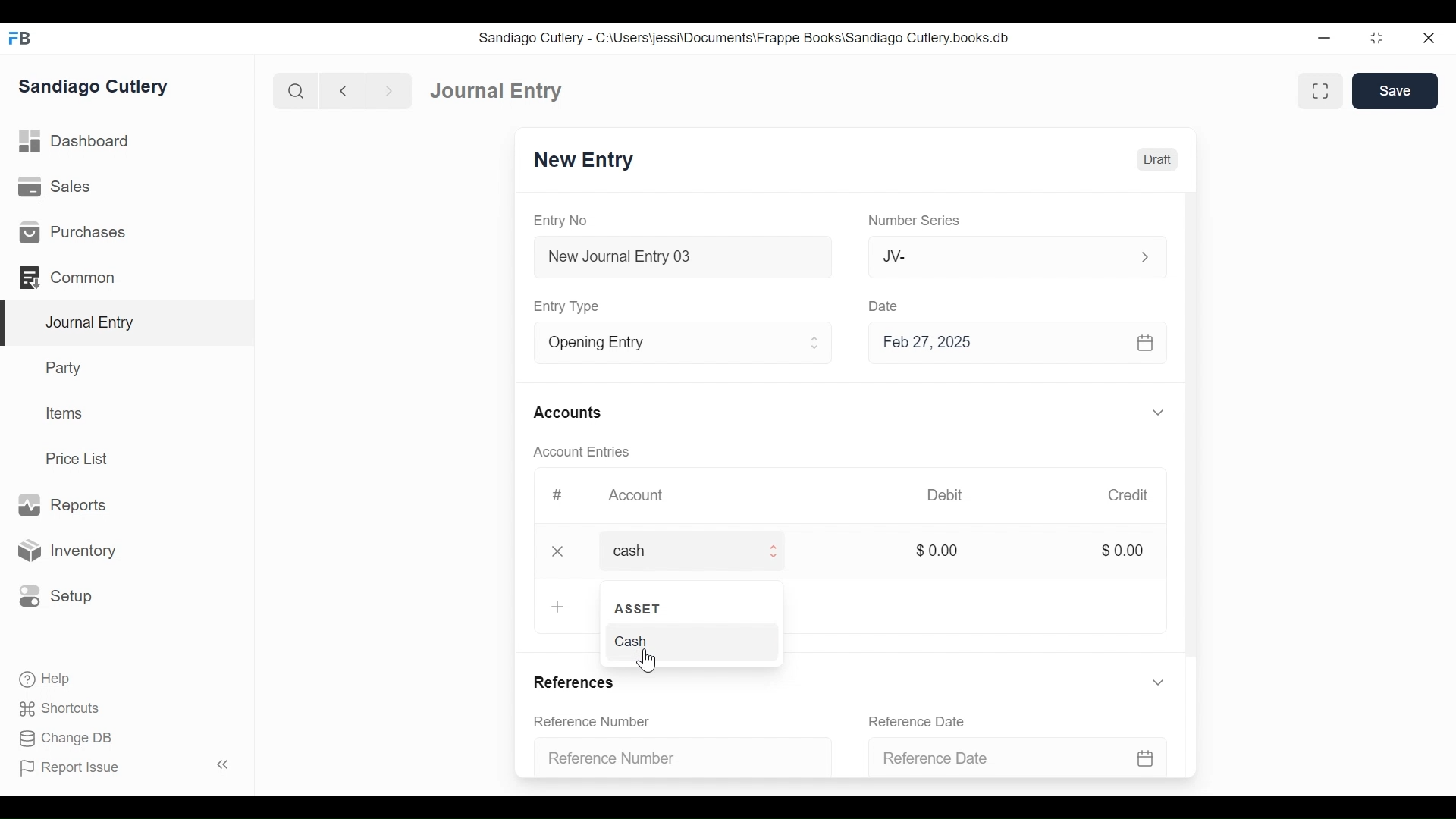 The height and width of the screenshot is (819, 1456). I want to click on New Entry, so click(585, 161).